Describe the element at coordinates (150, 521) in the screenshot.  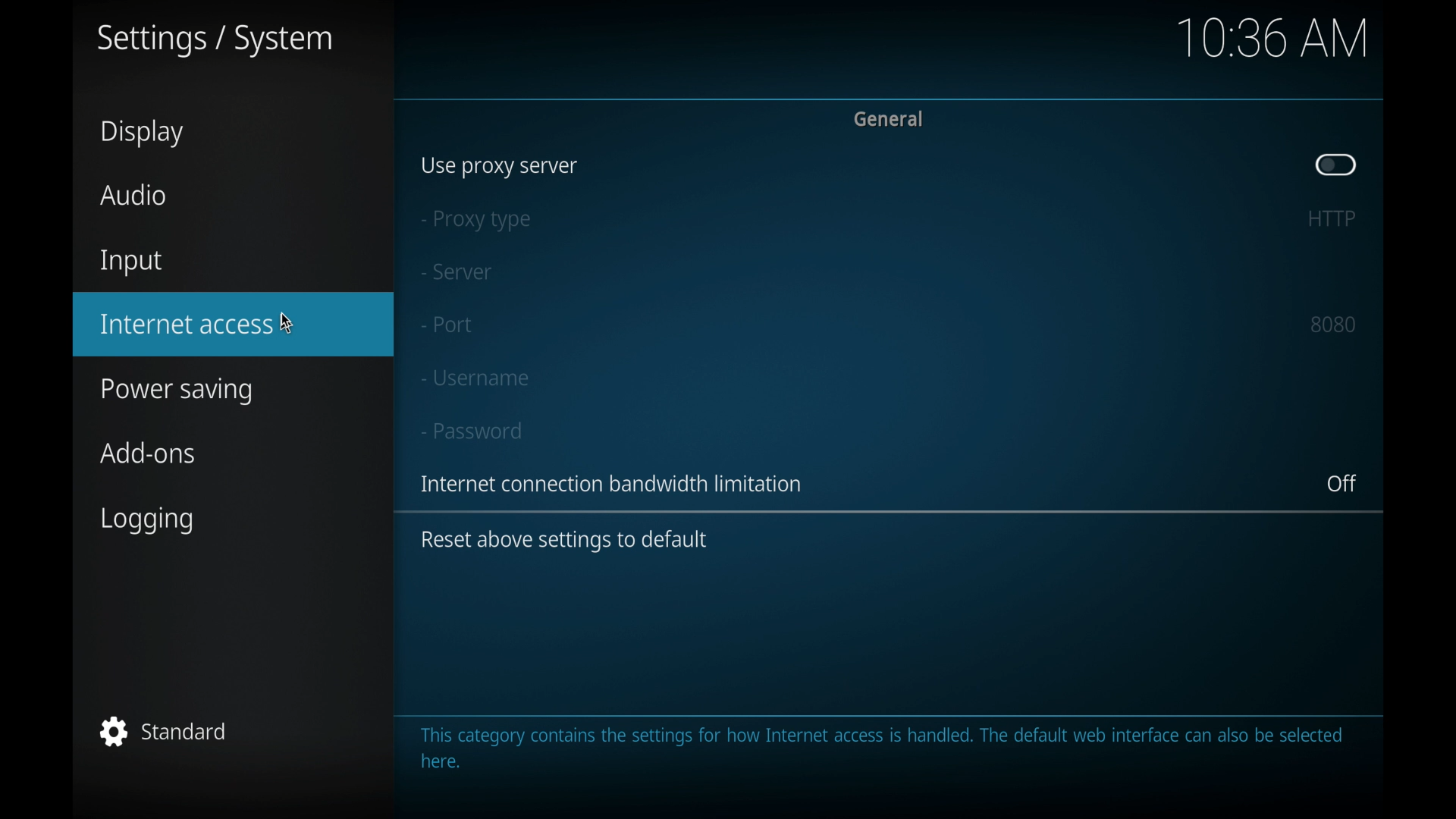
I see `logging` at that location.